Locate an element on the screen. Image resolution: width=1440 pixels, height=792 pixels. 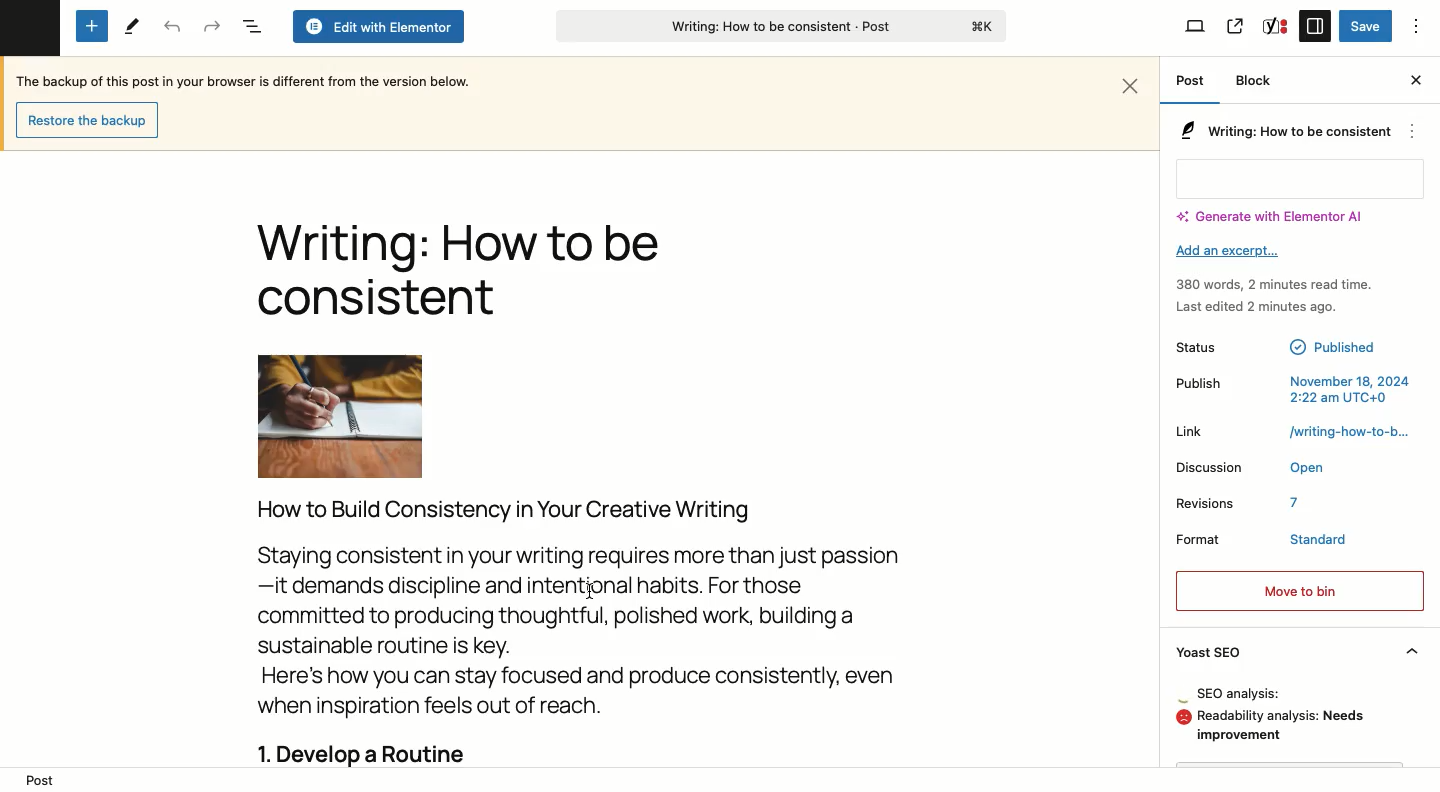
Redo is located at coordinates (212, 26).